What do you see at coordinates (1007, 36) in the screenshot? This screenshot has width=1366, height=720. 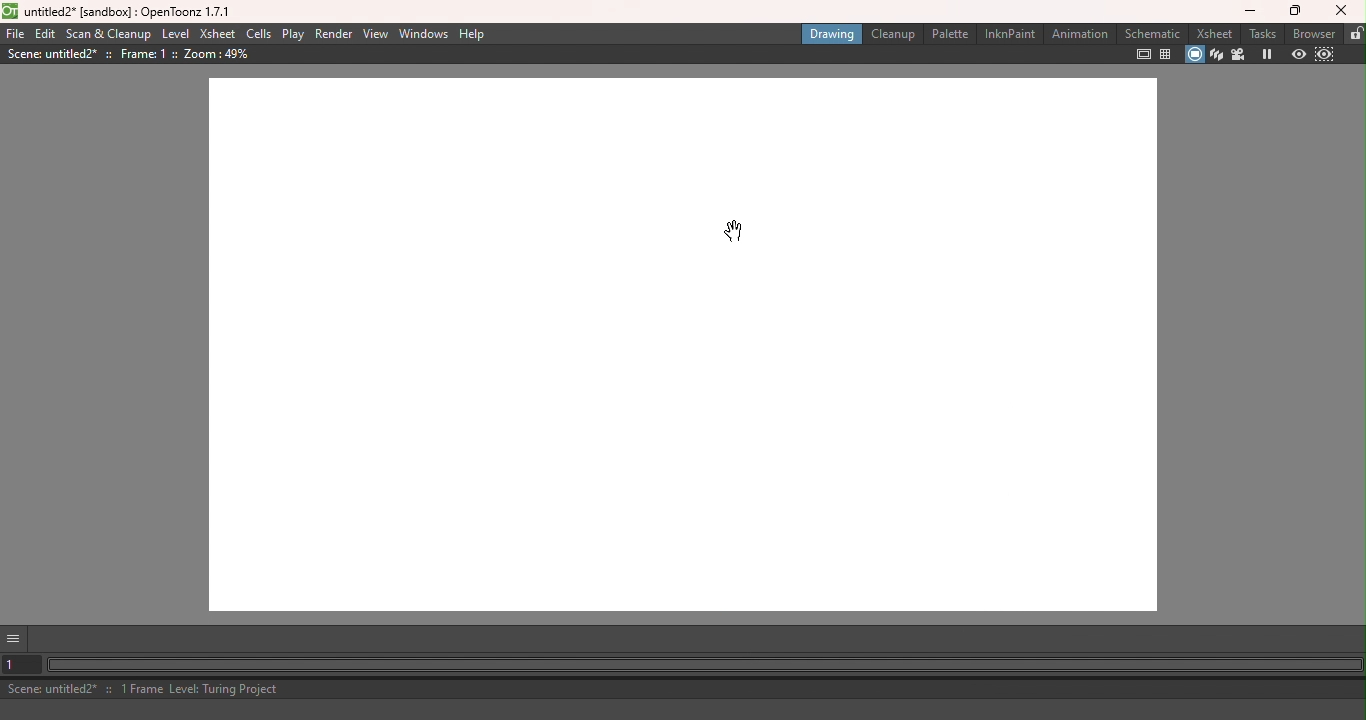 I see `InknPaint` at bounding box center [1007, 36].